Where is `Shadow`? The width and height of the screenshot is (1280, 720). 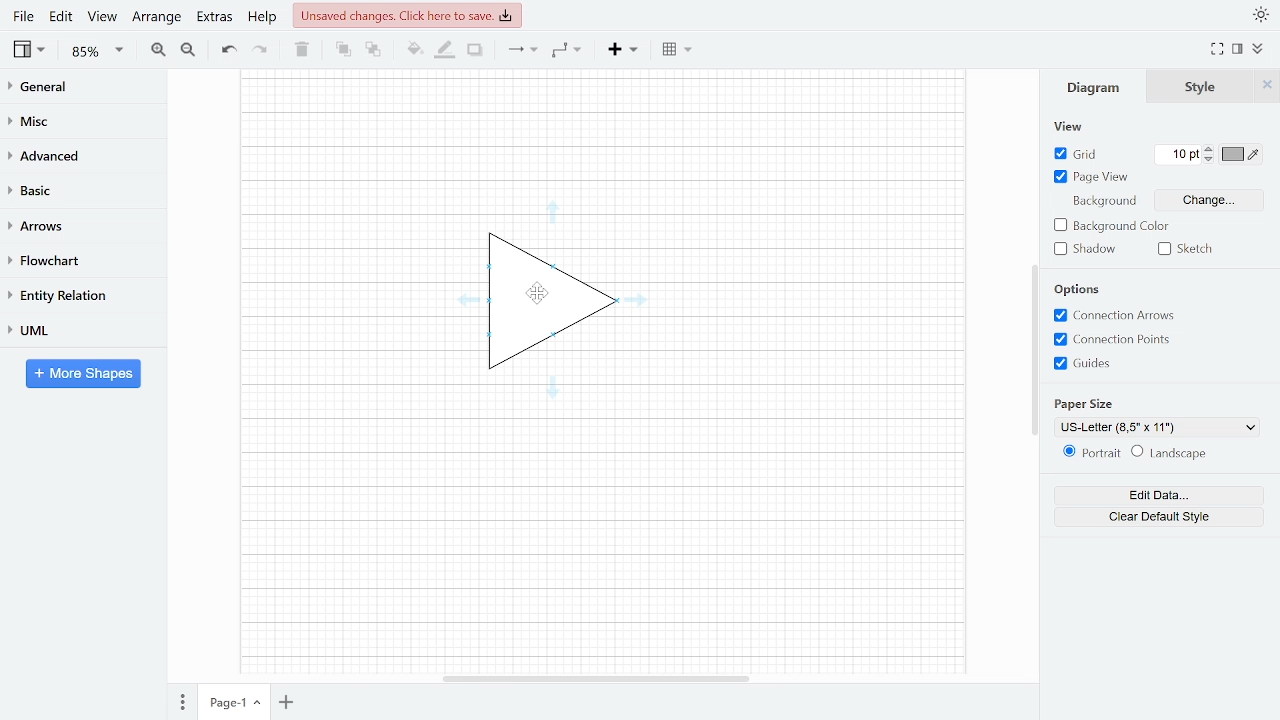 Shadow is located at coordinates (1086, 249).